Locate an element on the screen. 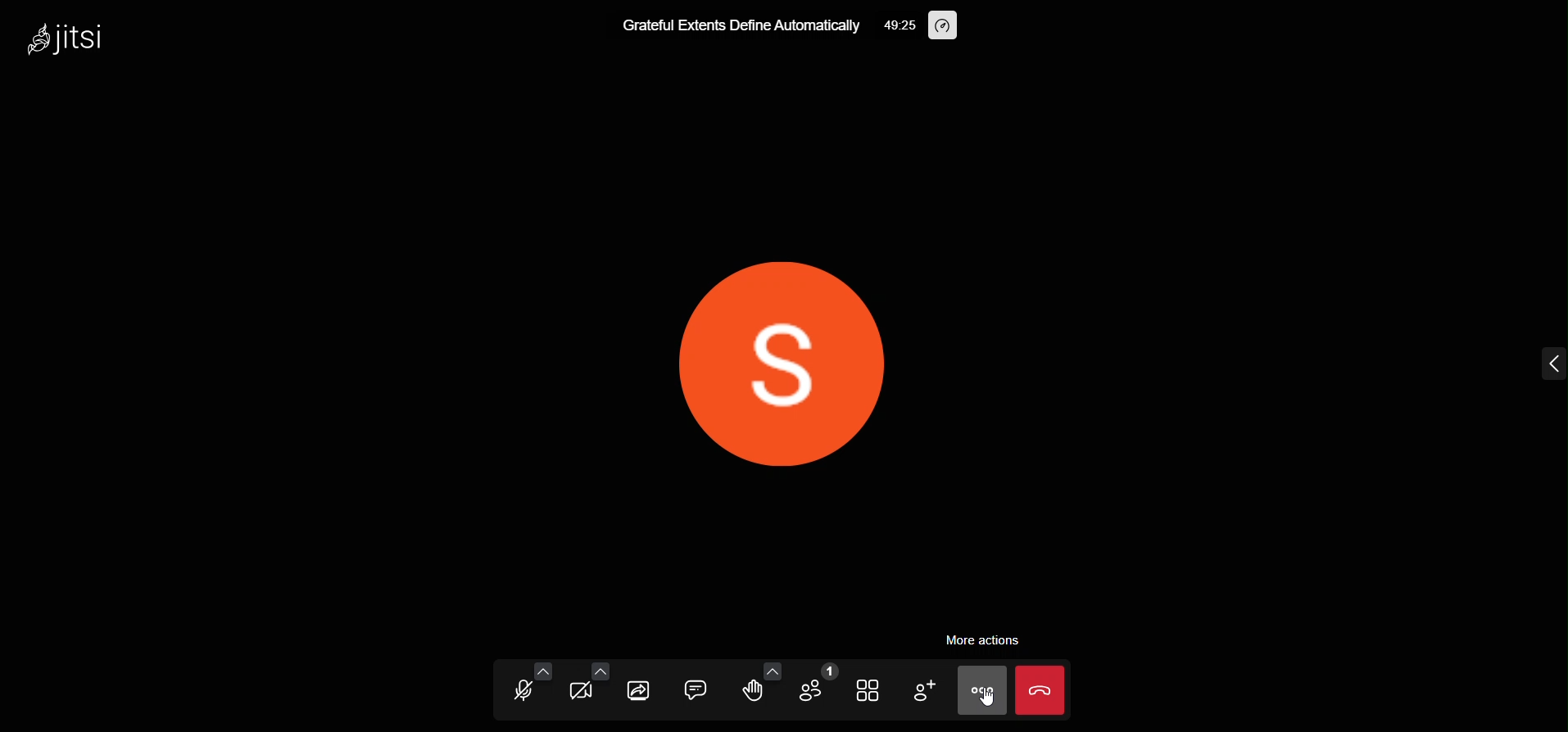  more action is located at coordinates (987, 639).